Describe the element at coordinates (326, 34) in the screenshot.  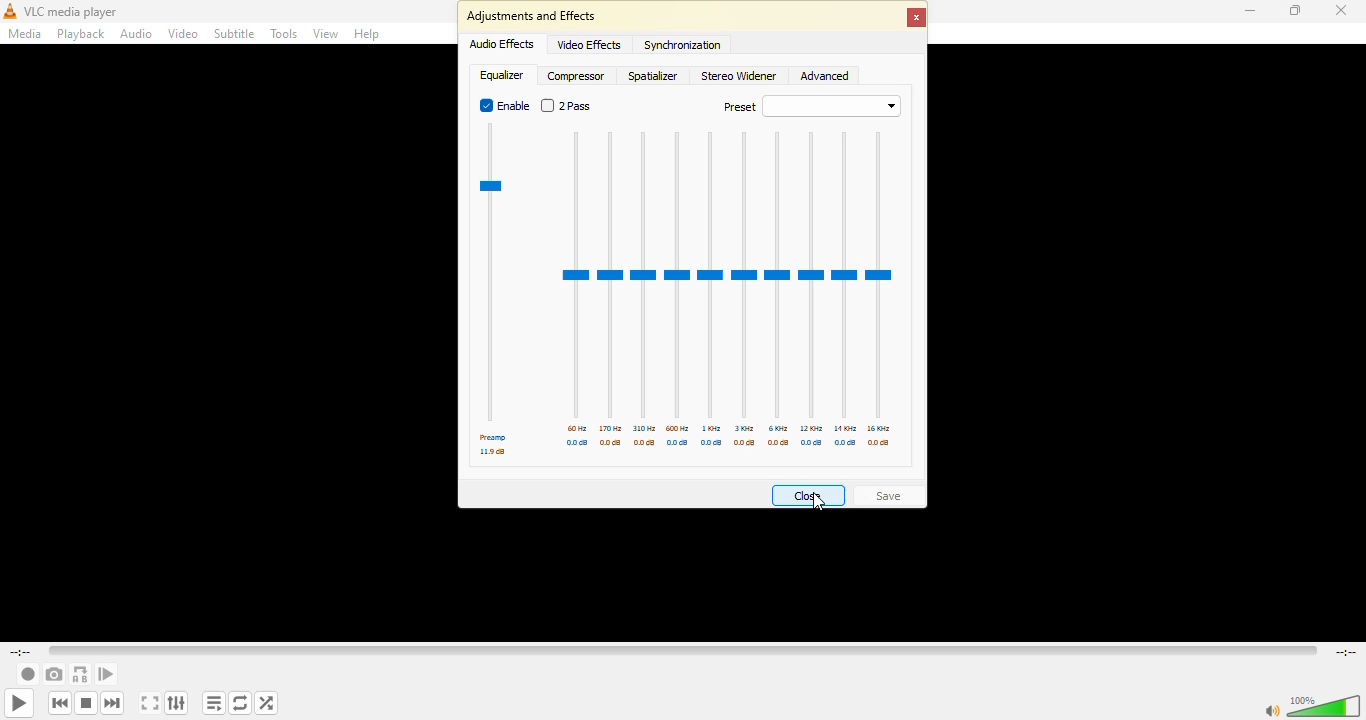
I see `view` at that location.